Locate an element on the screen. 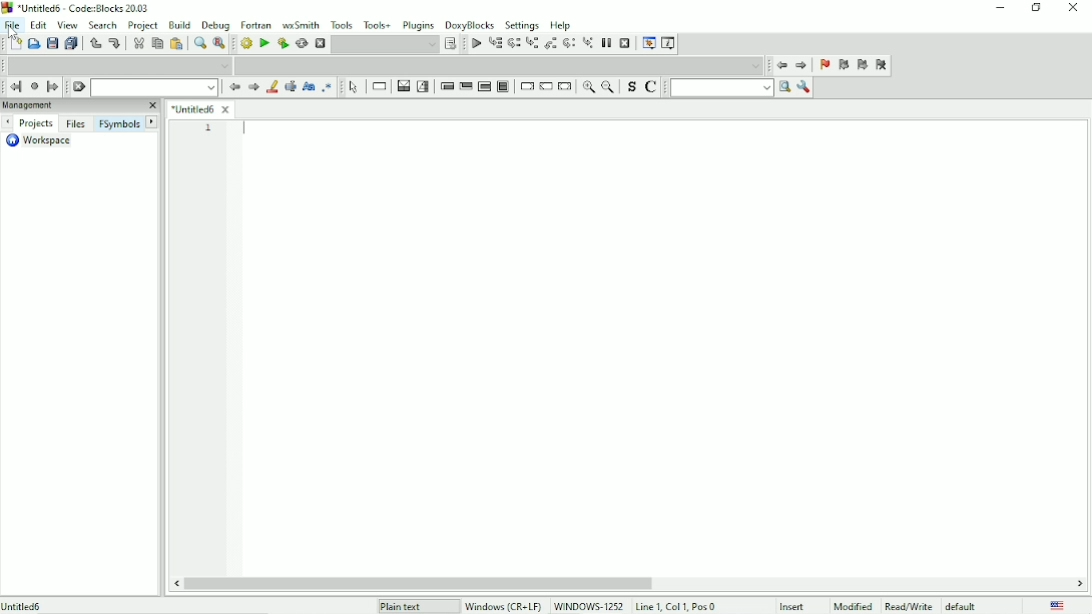  Run is located at coordinates (263, 43).